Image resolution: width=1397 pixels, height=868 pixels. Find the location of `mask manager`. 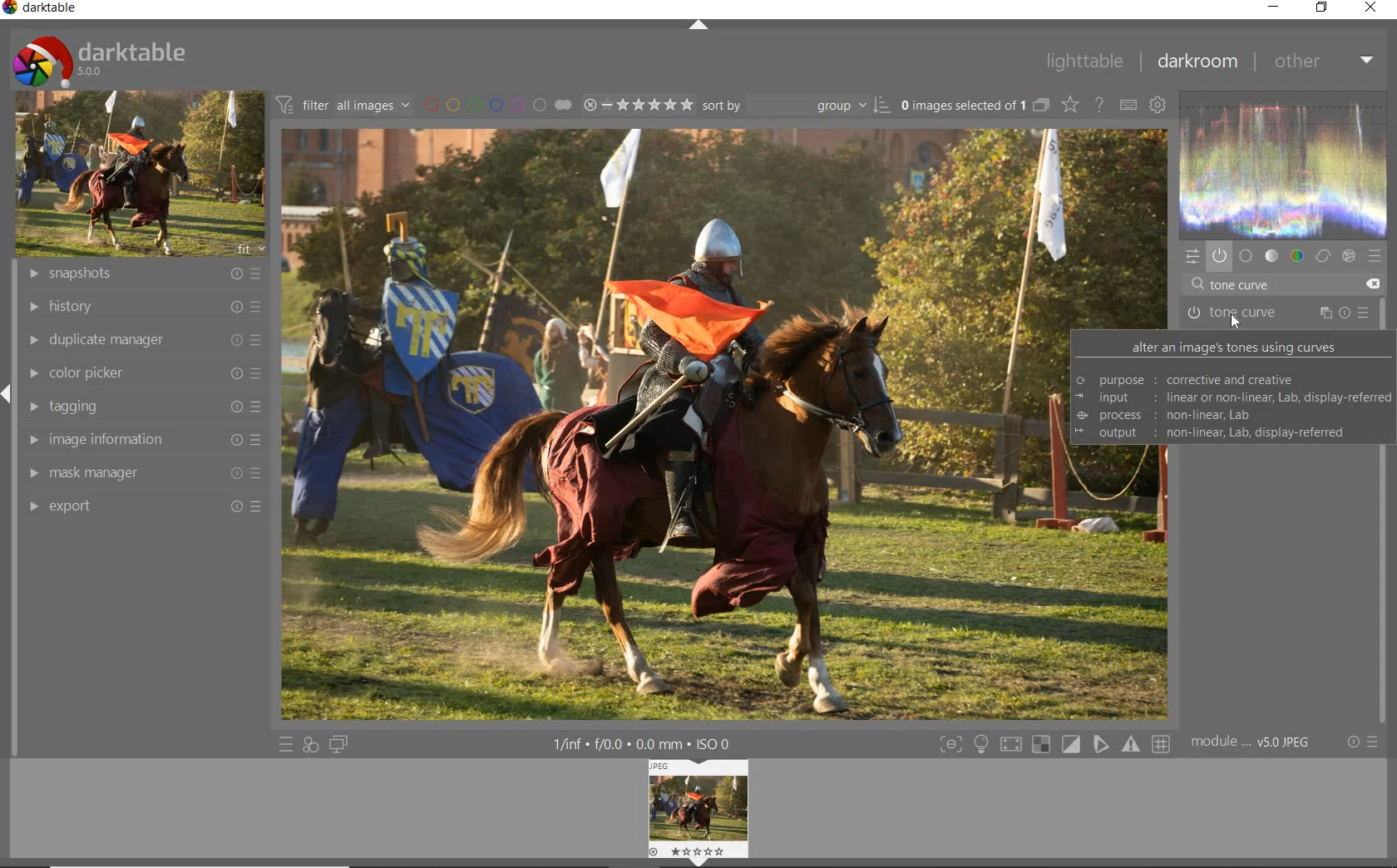

mask manager is located at coordinates (141, 475).